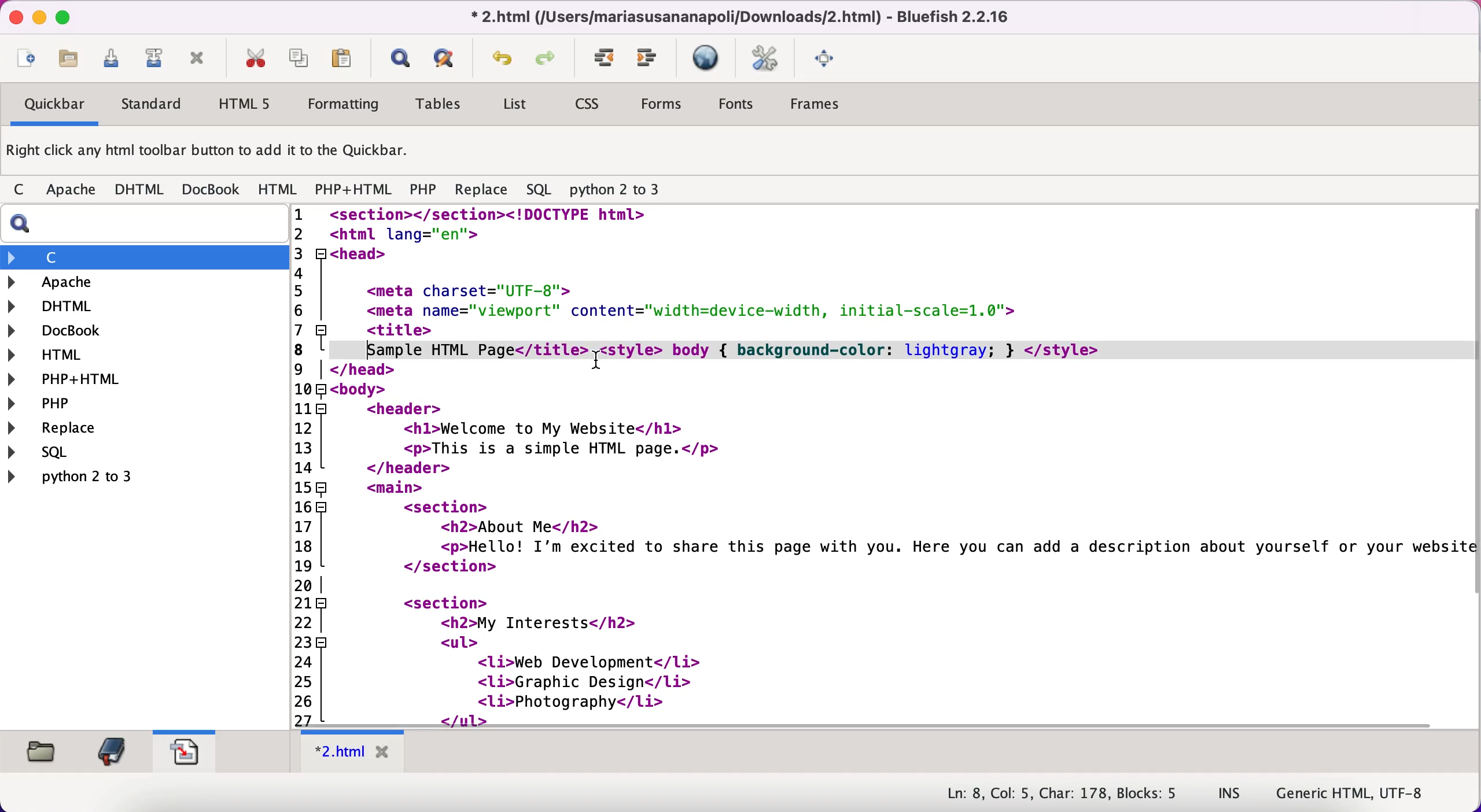 This screenshot has width=1481, height=812. I want to click on unindent, so click(648, 58).